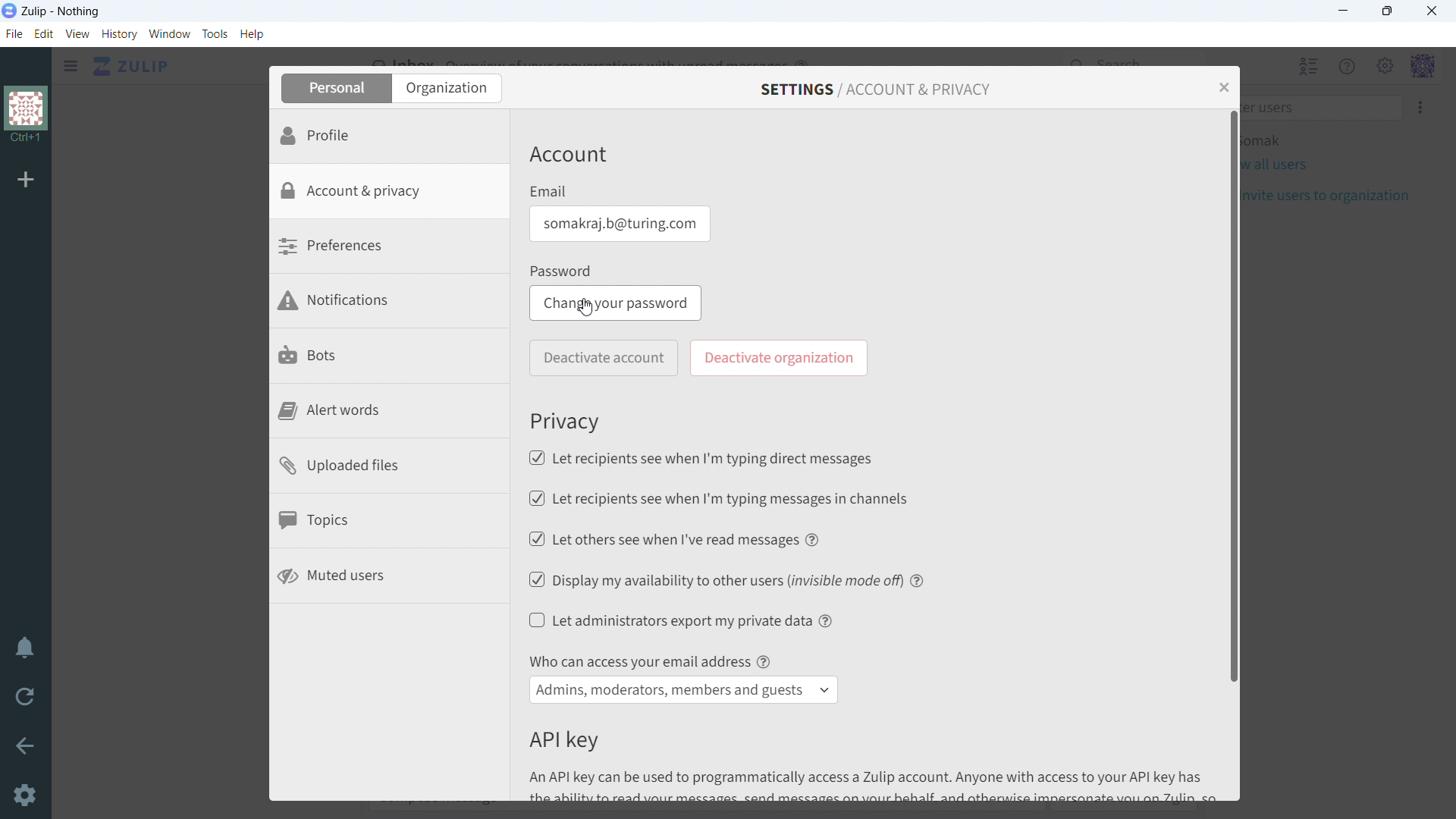  I want to click on profile menu, so click(1422, 67).